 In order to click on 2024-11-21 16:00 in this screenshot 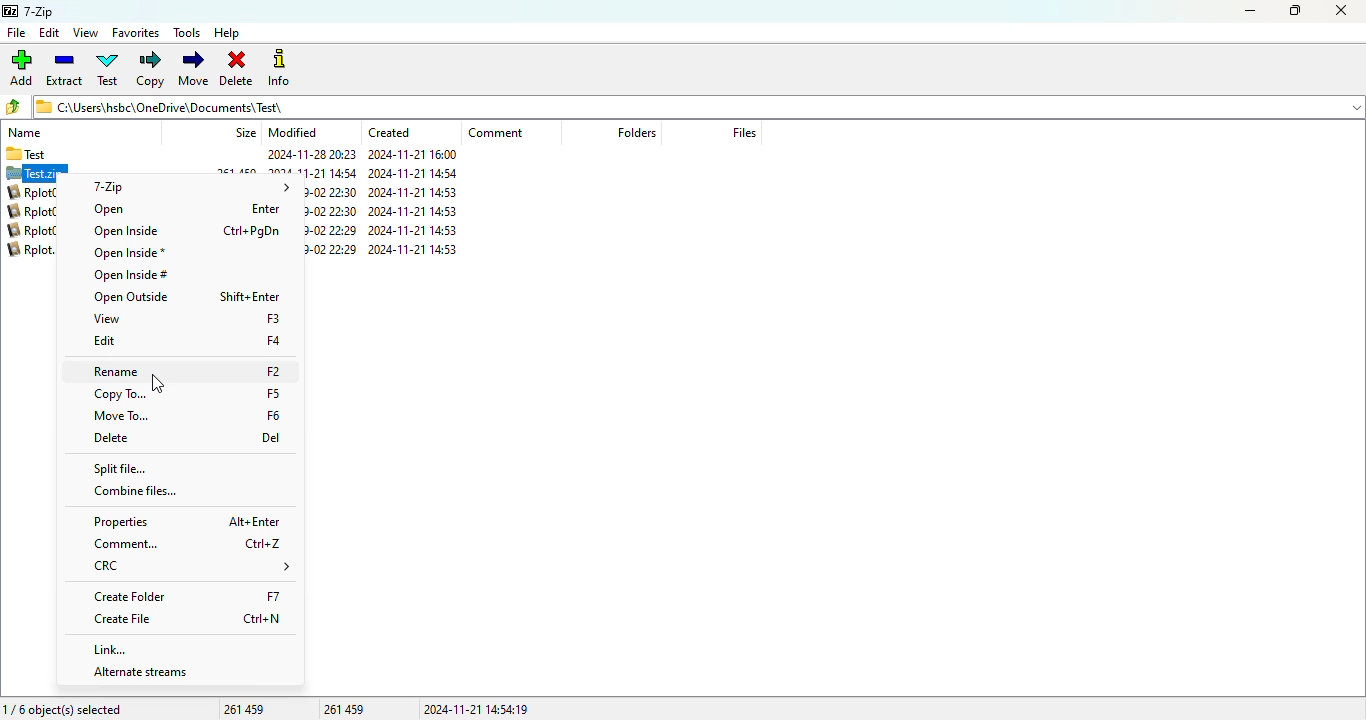, I will do `click(413, 154)`.